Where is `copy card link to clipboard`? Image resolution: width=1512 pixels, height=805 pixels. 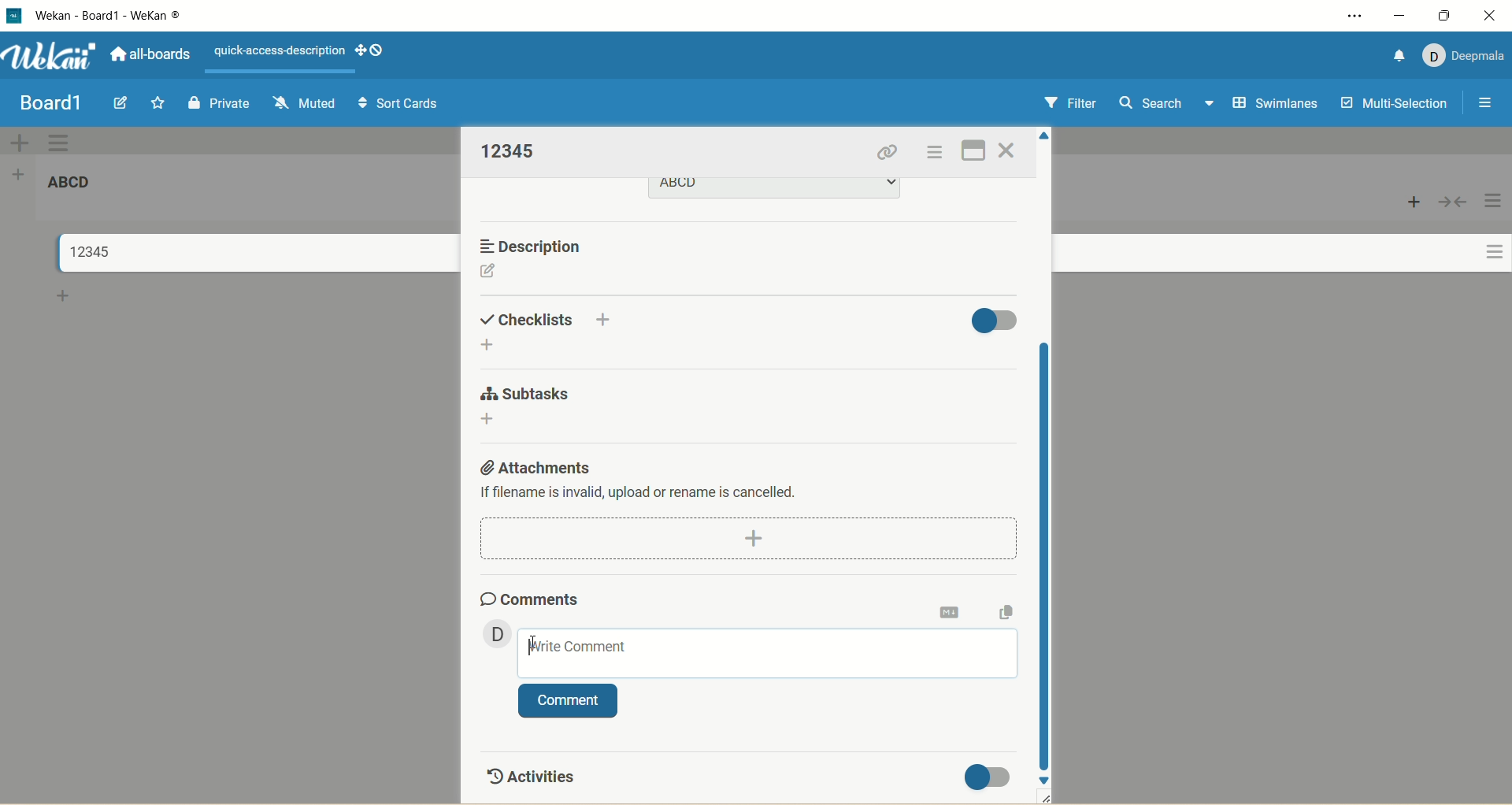
copy card link to clipboard is located at coordinates (888, 154).